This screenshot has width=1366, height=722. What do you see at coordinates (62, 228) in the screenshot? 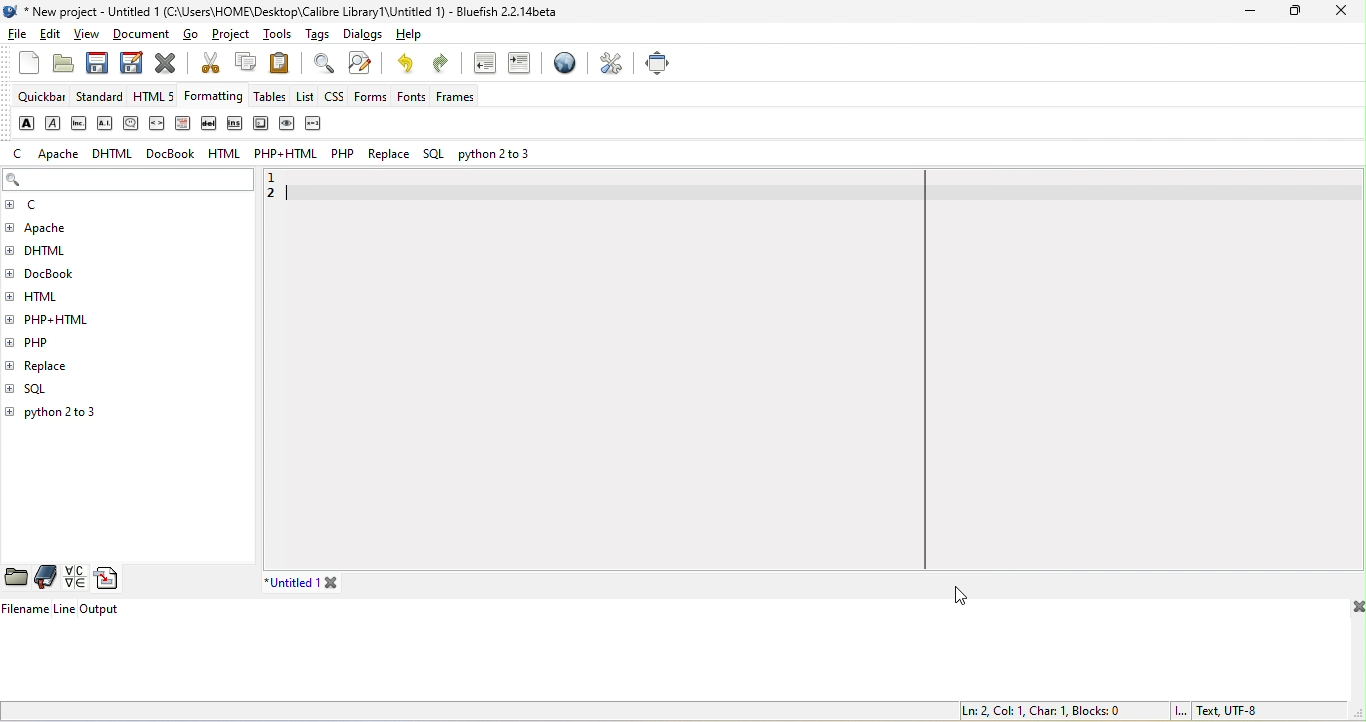
I see `apache` at bounding box center [62, 228].